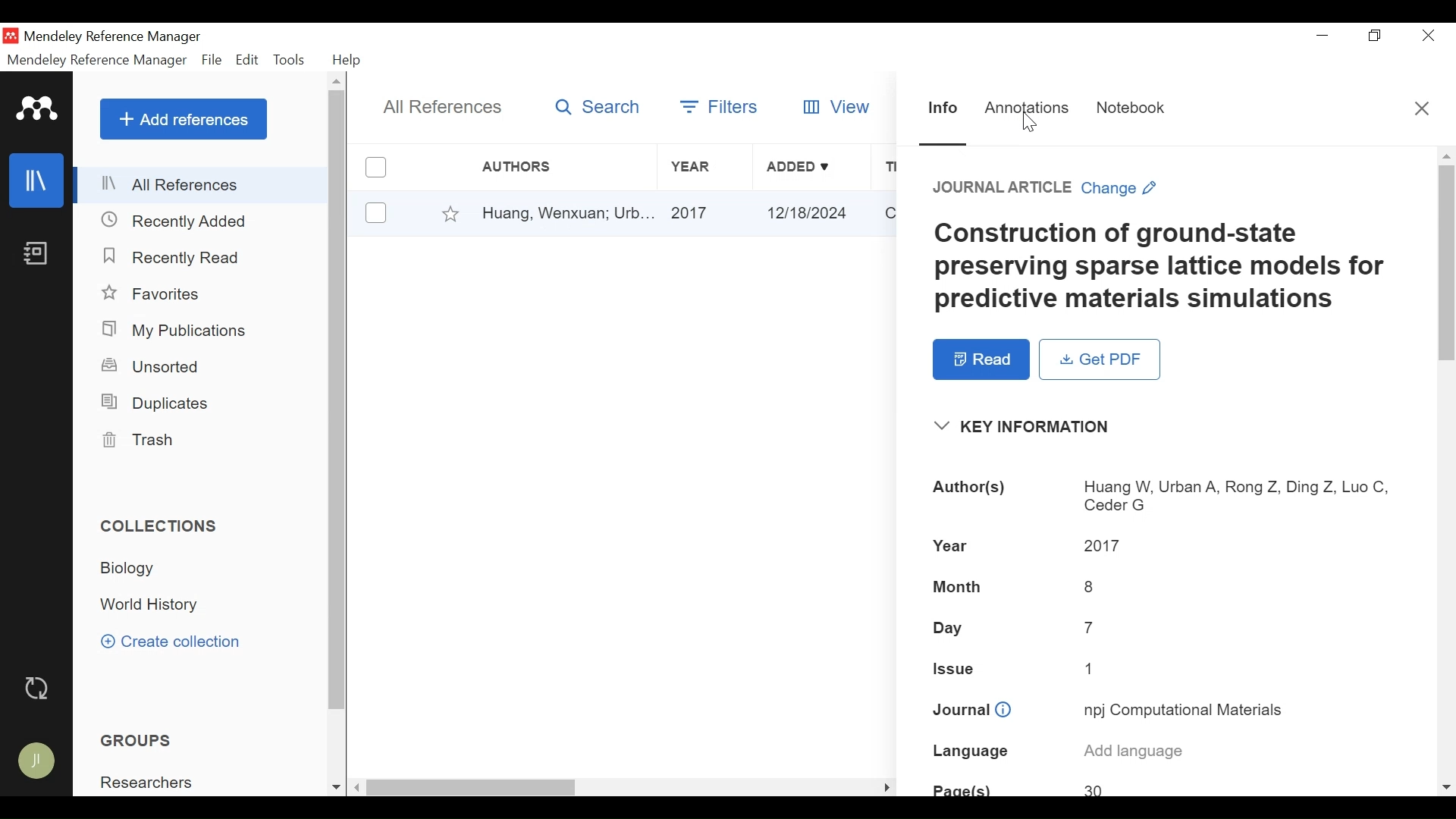 This screenshot has width=1456, height=819. What do you see at coordinates (959, 588) in the screenshot?
I see `Month` at bounding box center [959, 588].